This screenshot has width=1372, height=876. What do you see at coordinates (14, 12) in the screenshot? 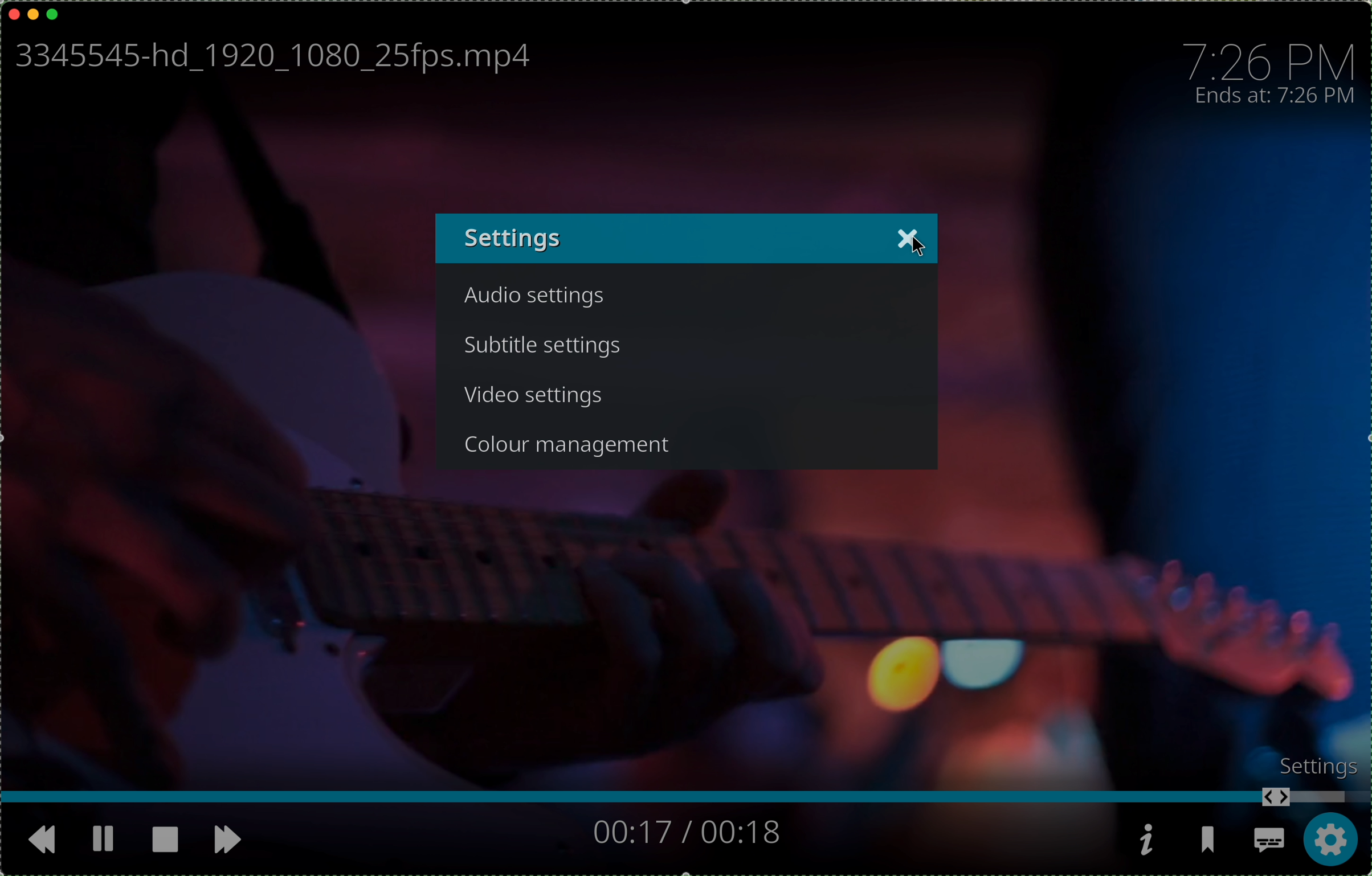
I see `close` at bounding box center [14, 12].